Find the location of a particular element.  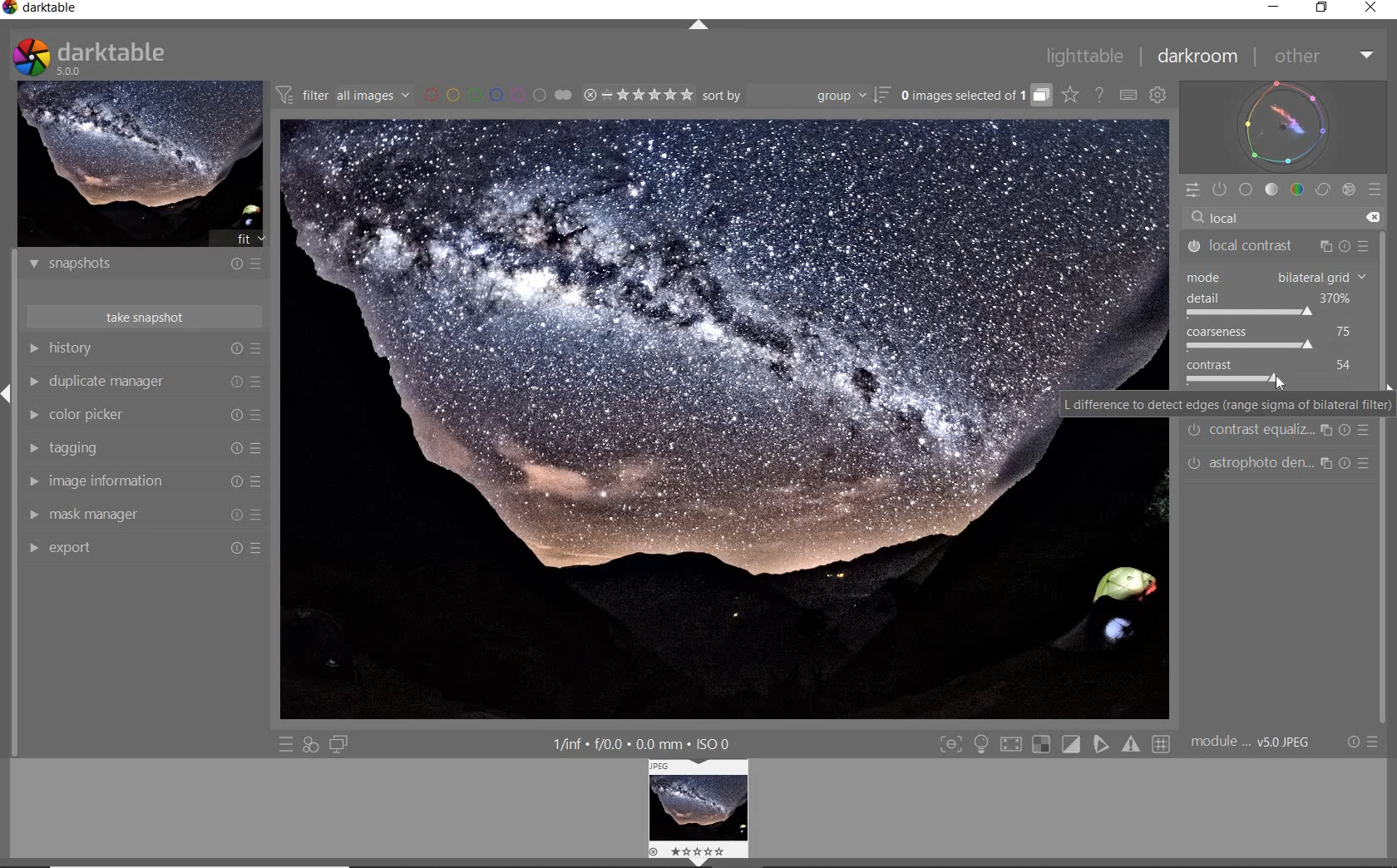

BASE is located at coordinates (1246, 189).